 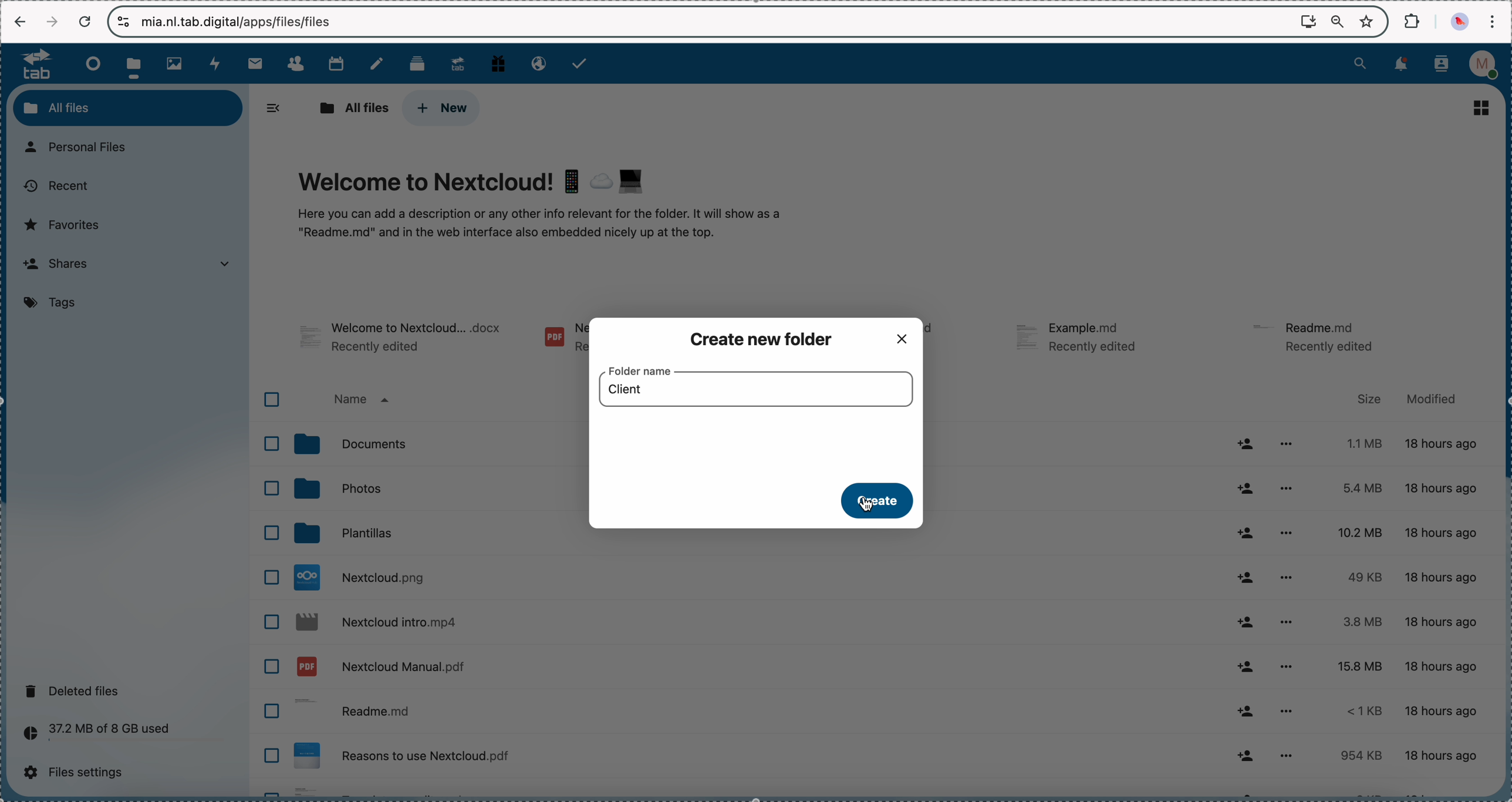 I want to click on email, so click(x=536, y=62).